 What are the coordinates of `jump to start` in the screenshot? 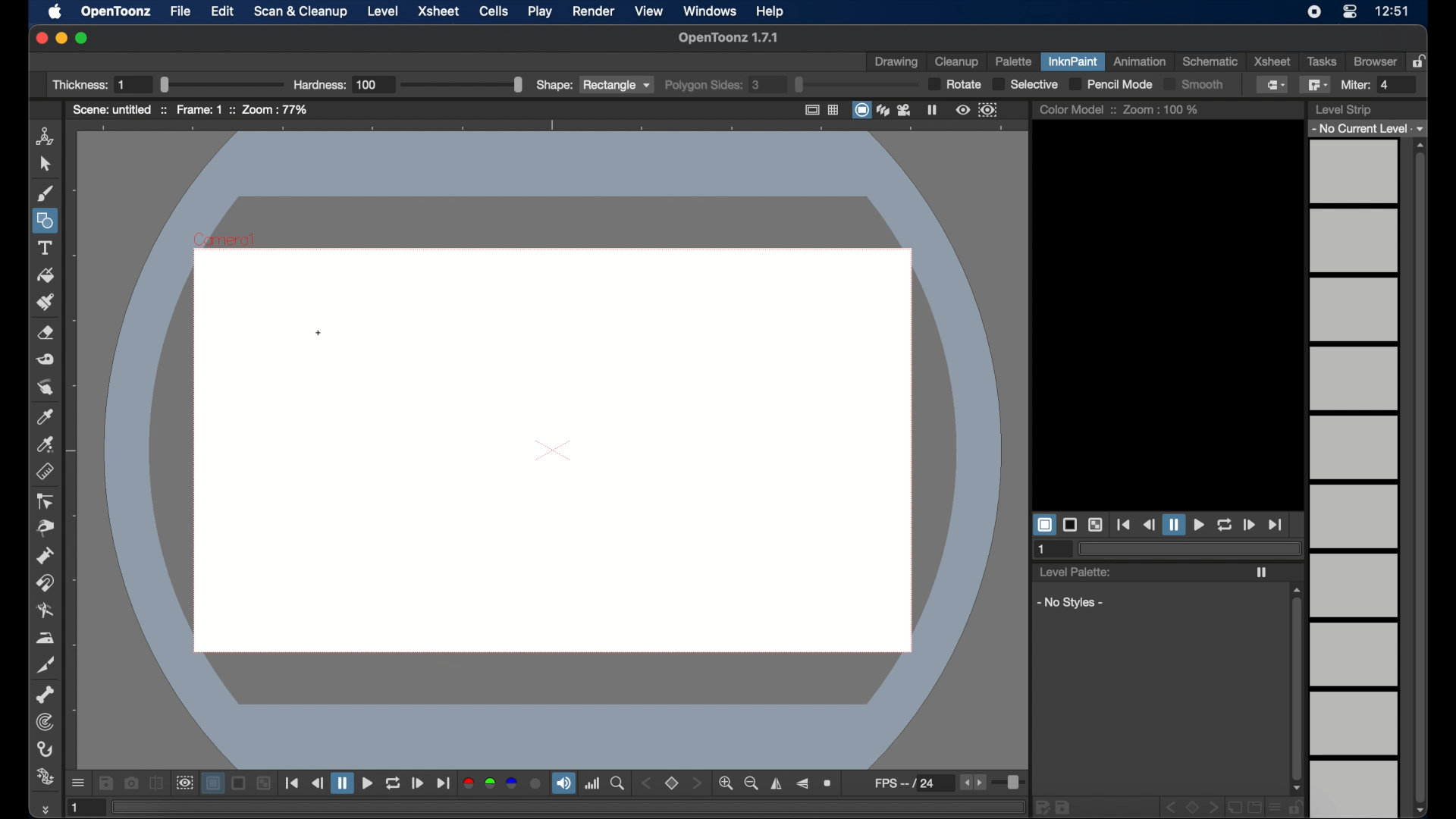 It's located at (1124, 525).